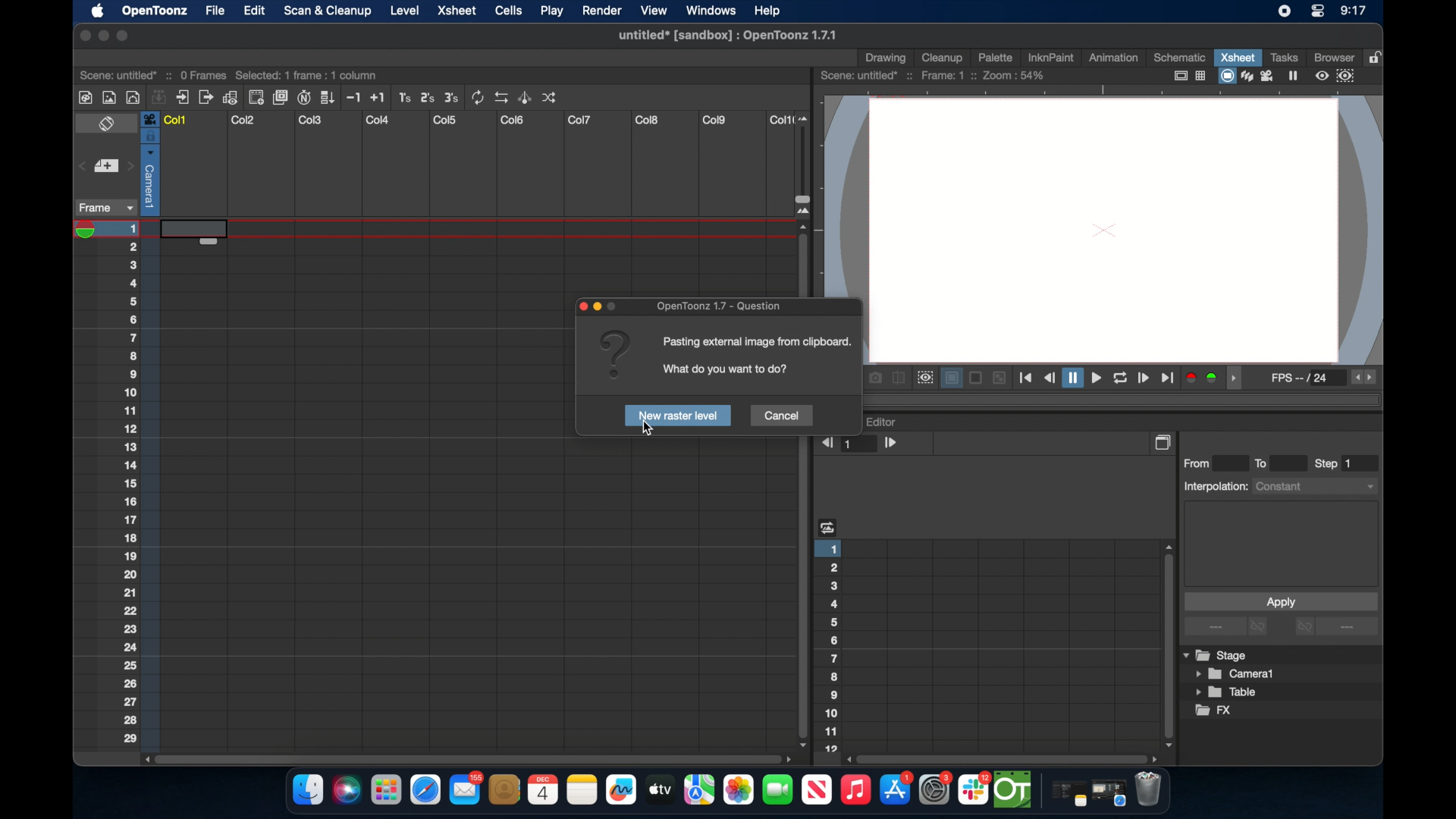  What do you see at coordinates (973, 378) in the screenshot?
I see `backgrounds` at bounding box center [973, 378].